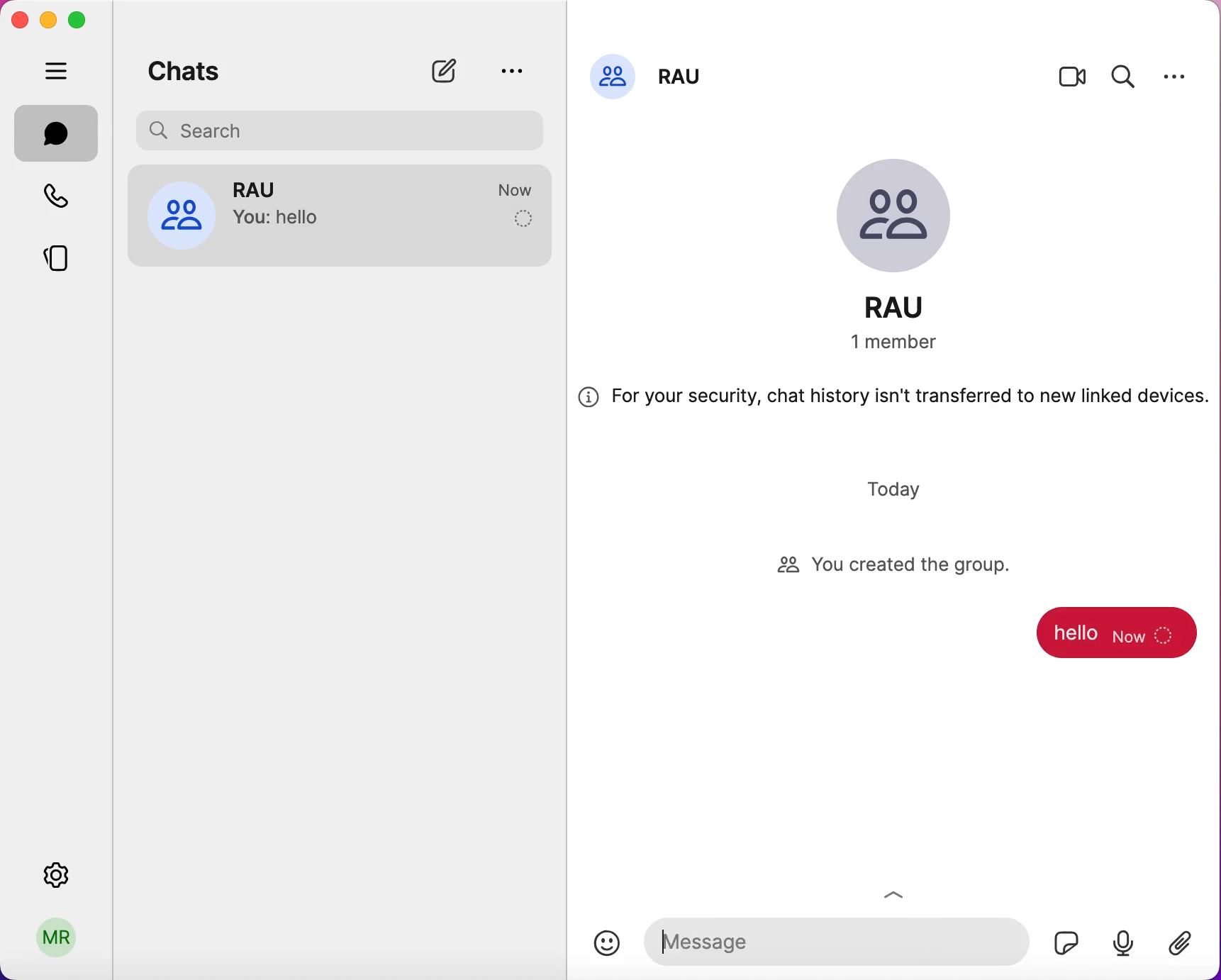 This screenshot has width=1221, height=980. I want to click on view achive, so click(511, 70).